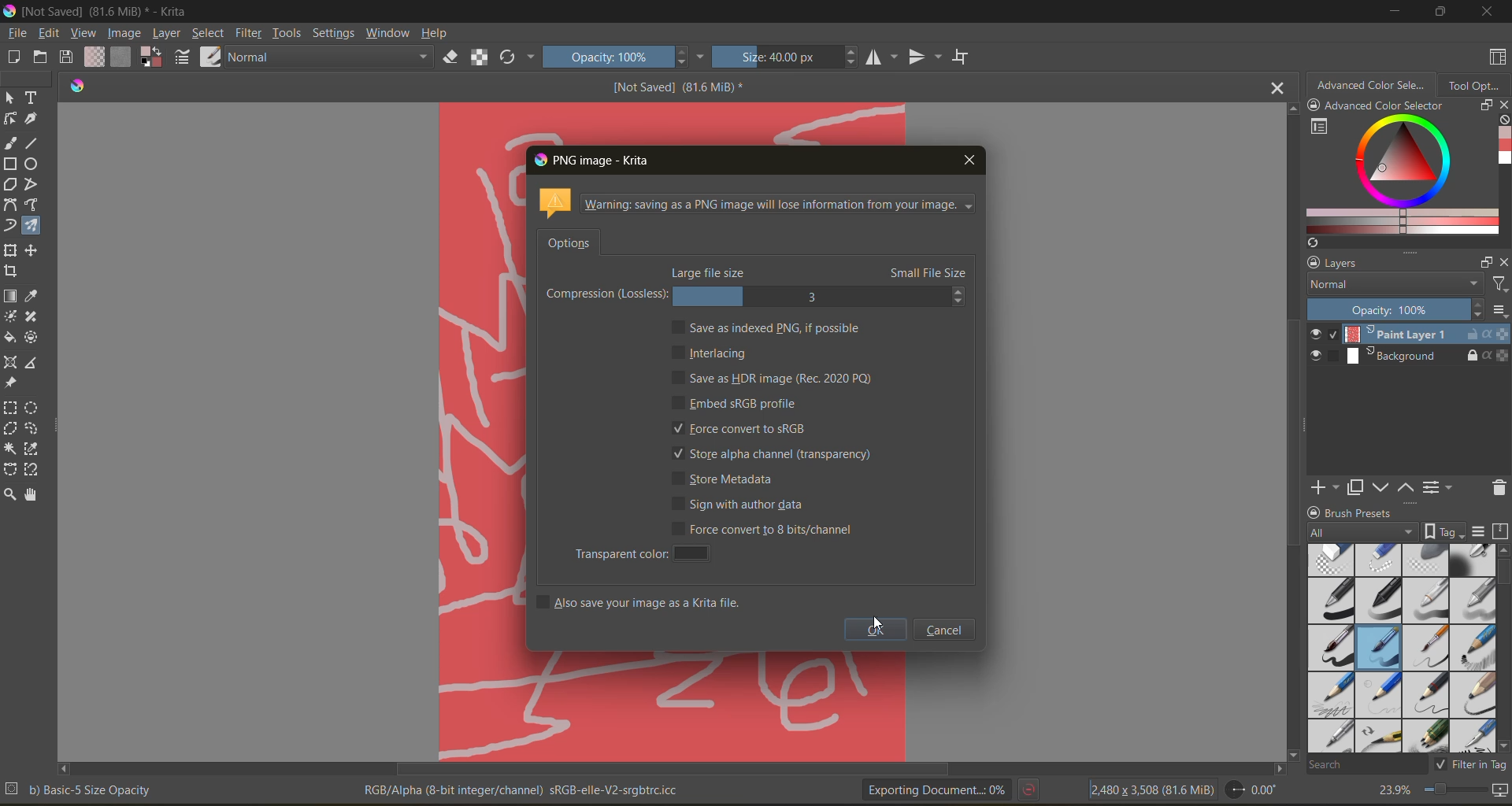 The height and width of the screenshot is (806, 1512). Describe the element at coordinates (80, 789) in the screenshot. I see `metadata` at that location.